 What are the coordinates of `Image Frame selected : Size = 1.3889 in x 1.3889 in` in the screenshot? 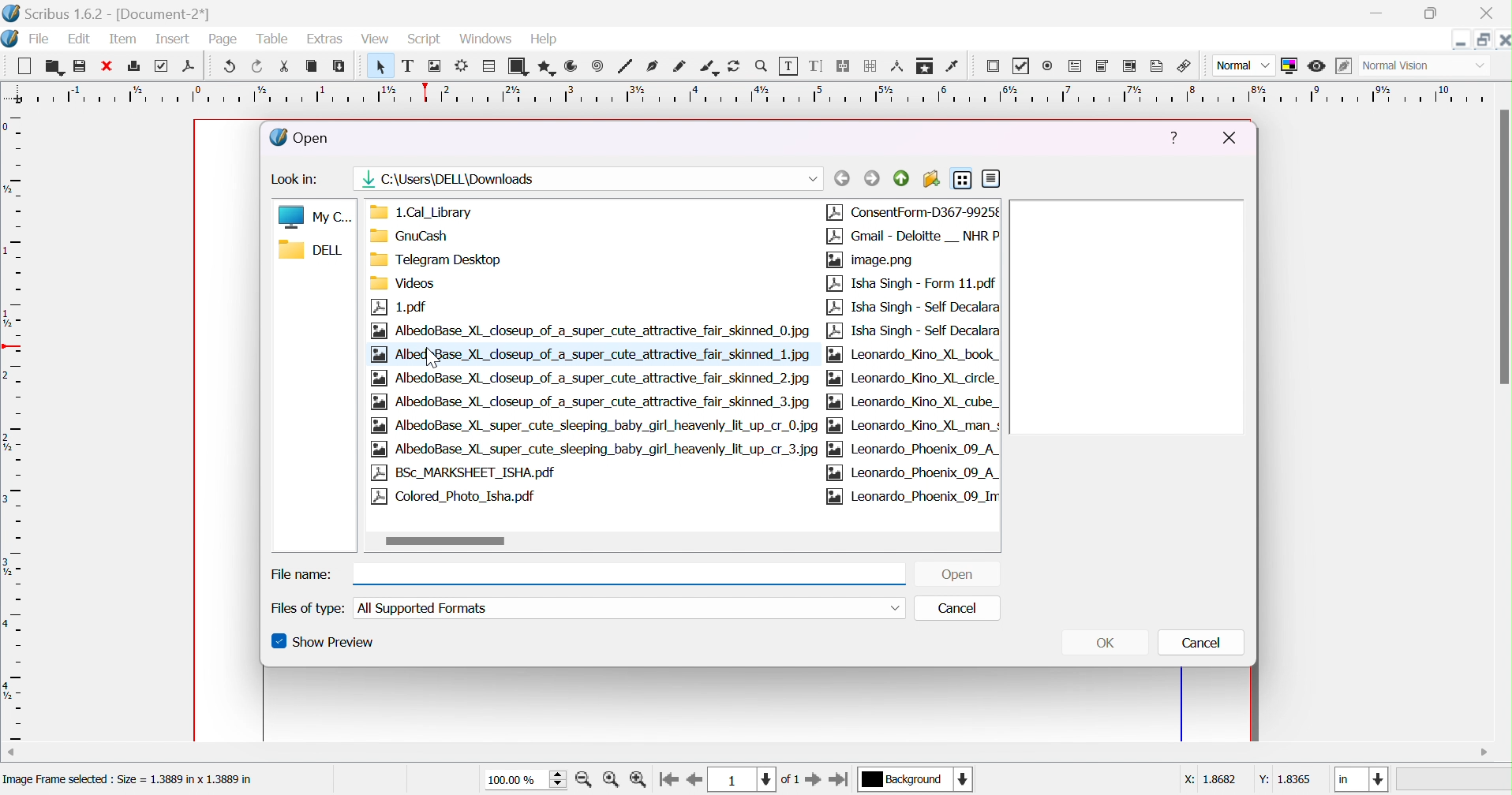 It's located at (129, 782).